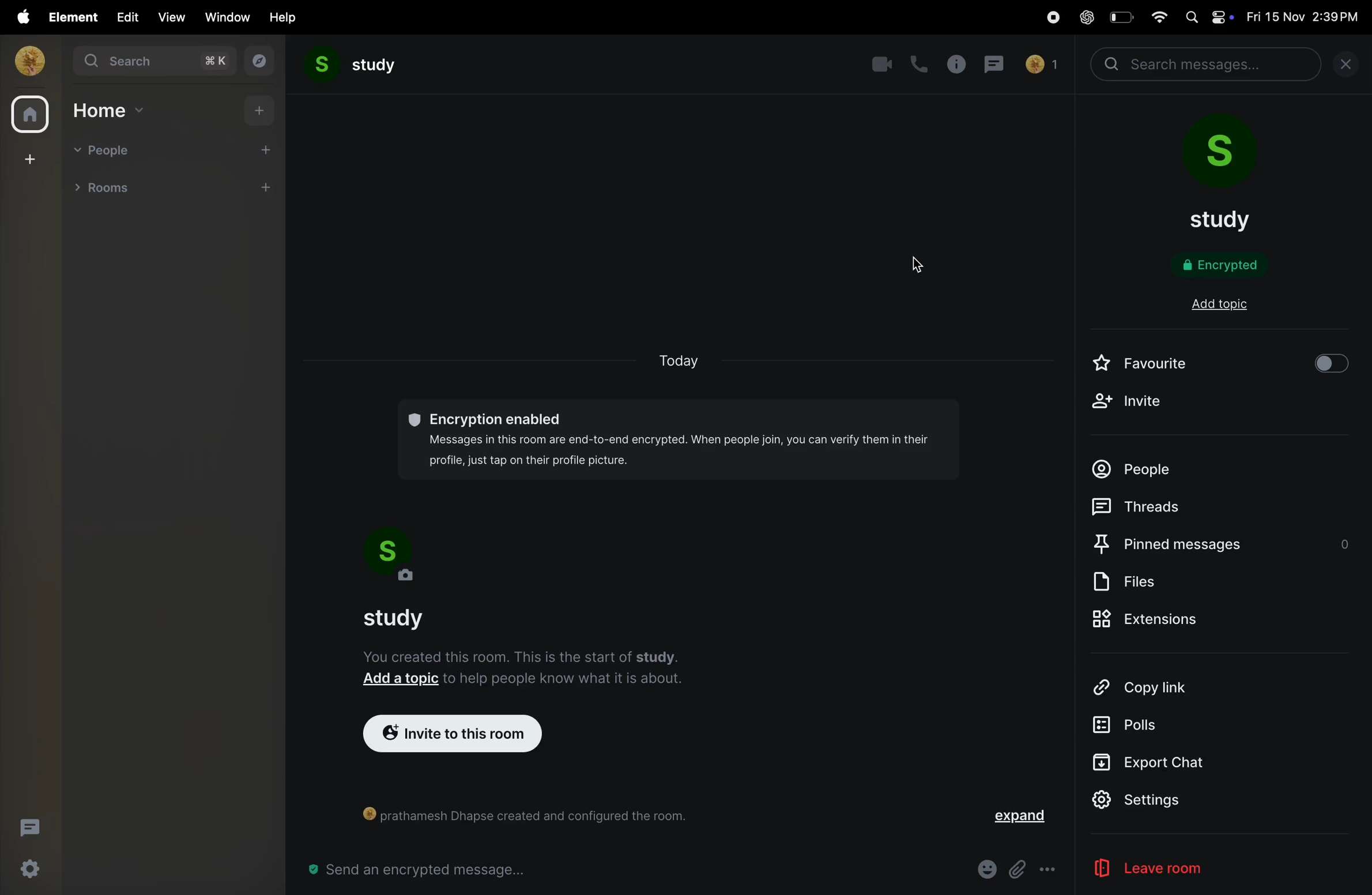 This screenshot has width=1372, height=895. Describe the element at coordinates (518, 657) in the screenshot. I see `You created this room. This is the start of study.` at that location.